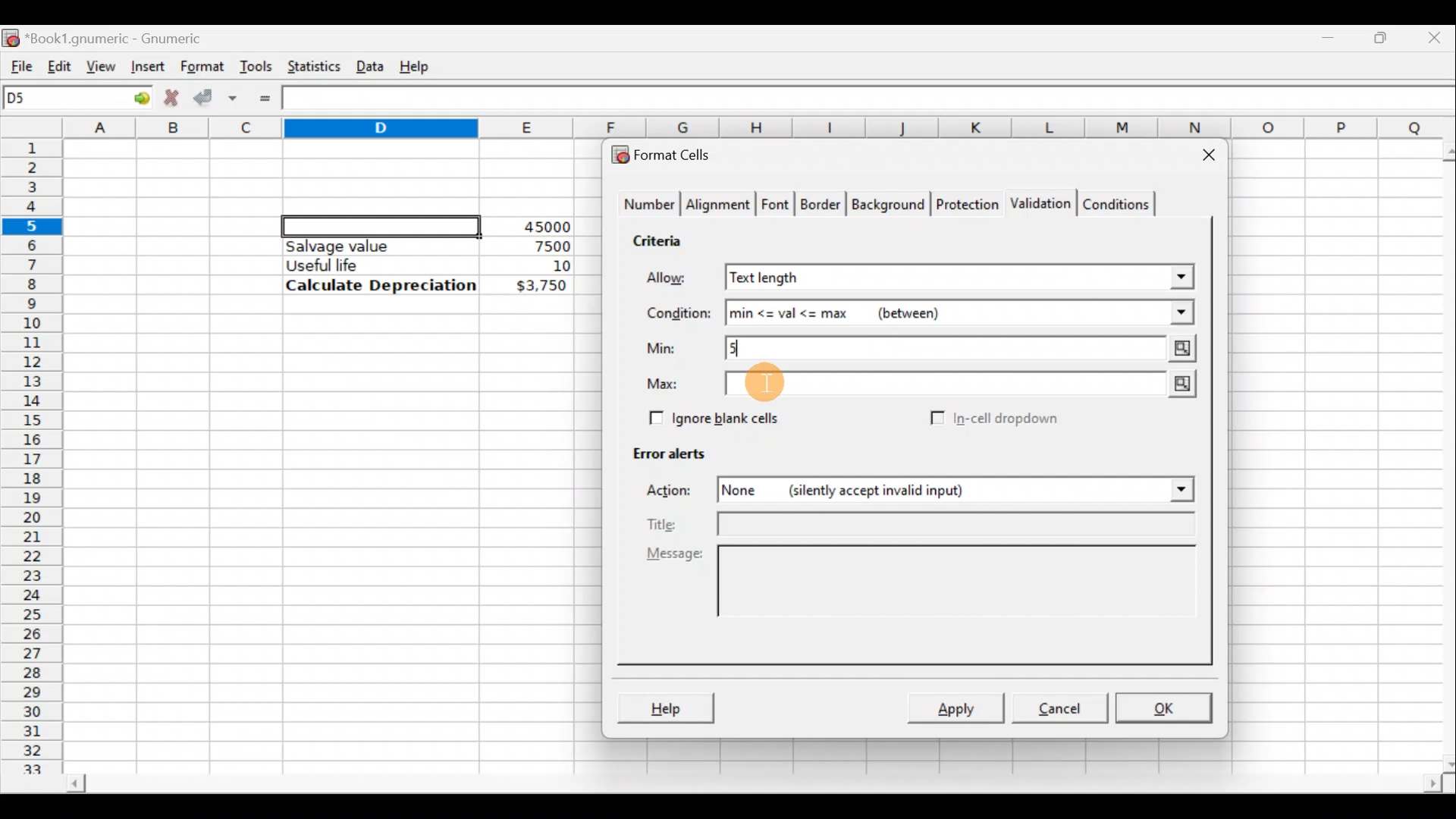 The image size is (1456, 819). What do you see at coordinates (964, 206) in the screenshot?
I see `Protection` at bounding box center [964, 206].